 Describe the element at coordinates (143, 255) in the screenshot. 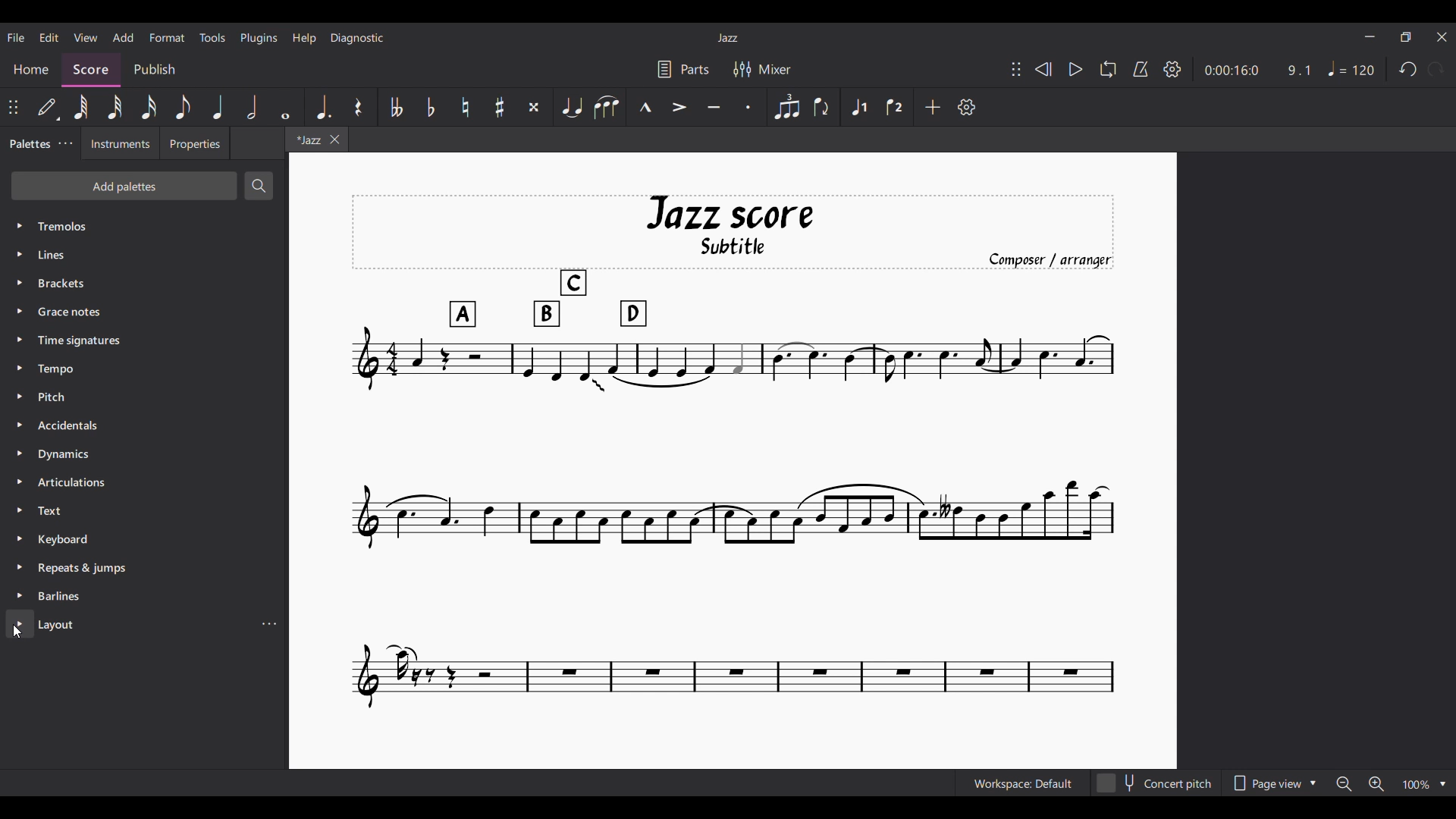

I see `Lines` at that location.